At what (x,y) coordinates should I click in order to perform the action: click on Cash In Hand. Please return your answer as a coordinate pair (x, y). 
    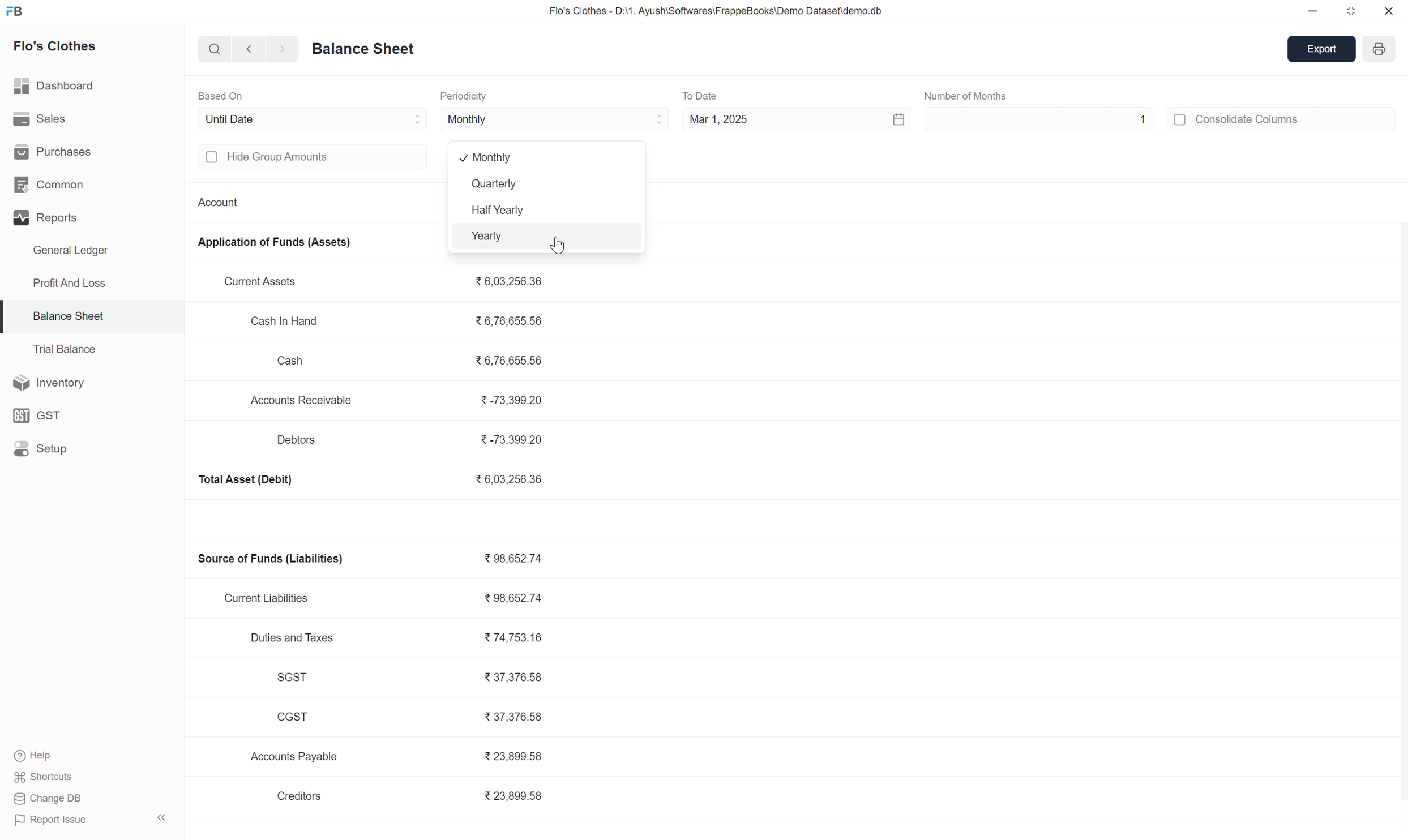
    Looking at the image, I should click on (294, 321).